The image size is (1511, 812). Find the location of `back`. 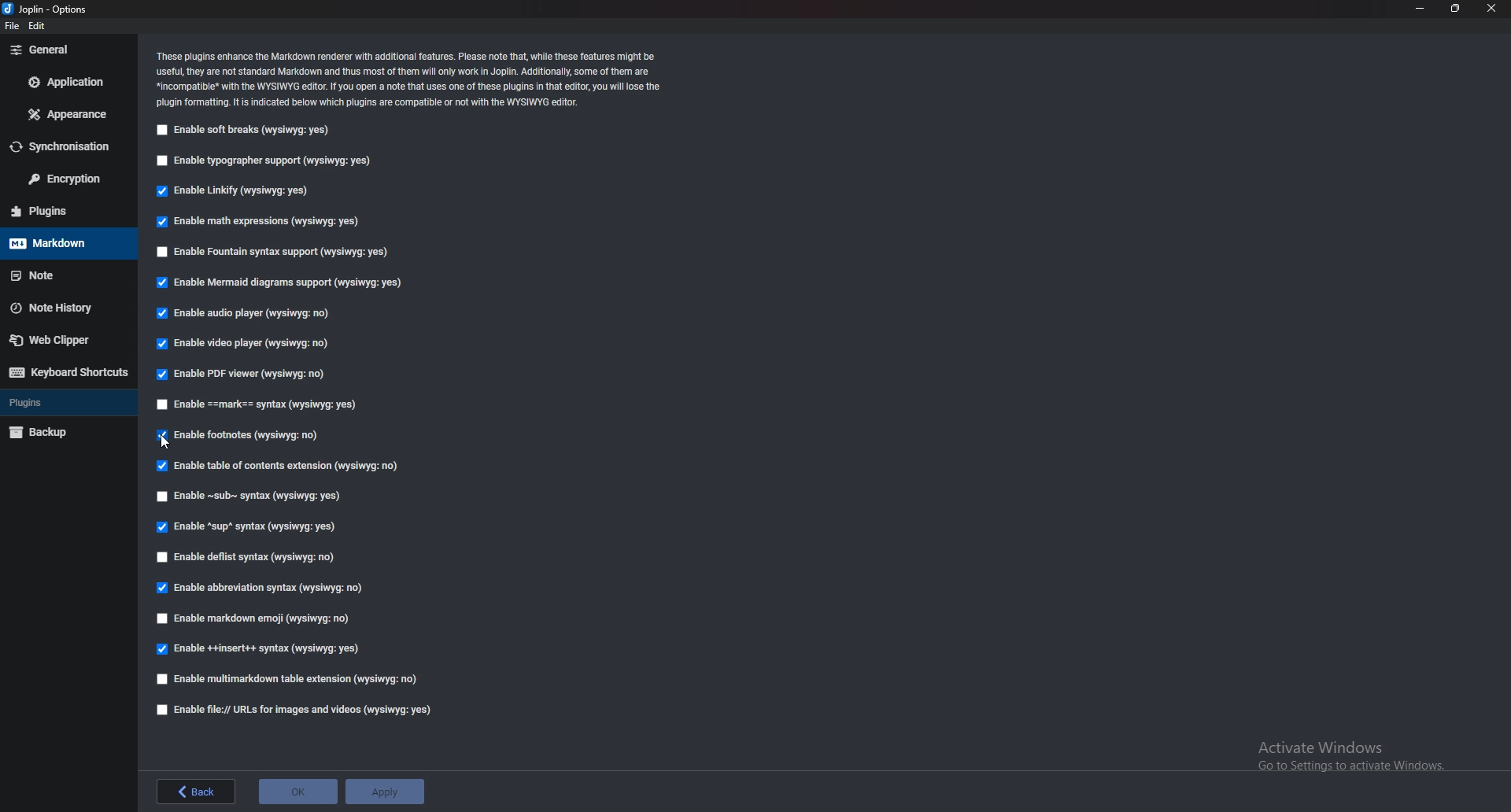

back is located at coordinates (197, 792).